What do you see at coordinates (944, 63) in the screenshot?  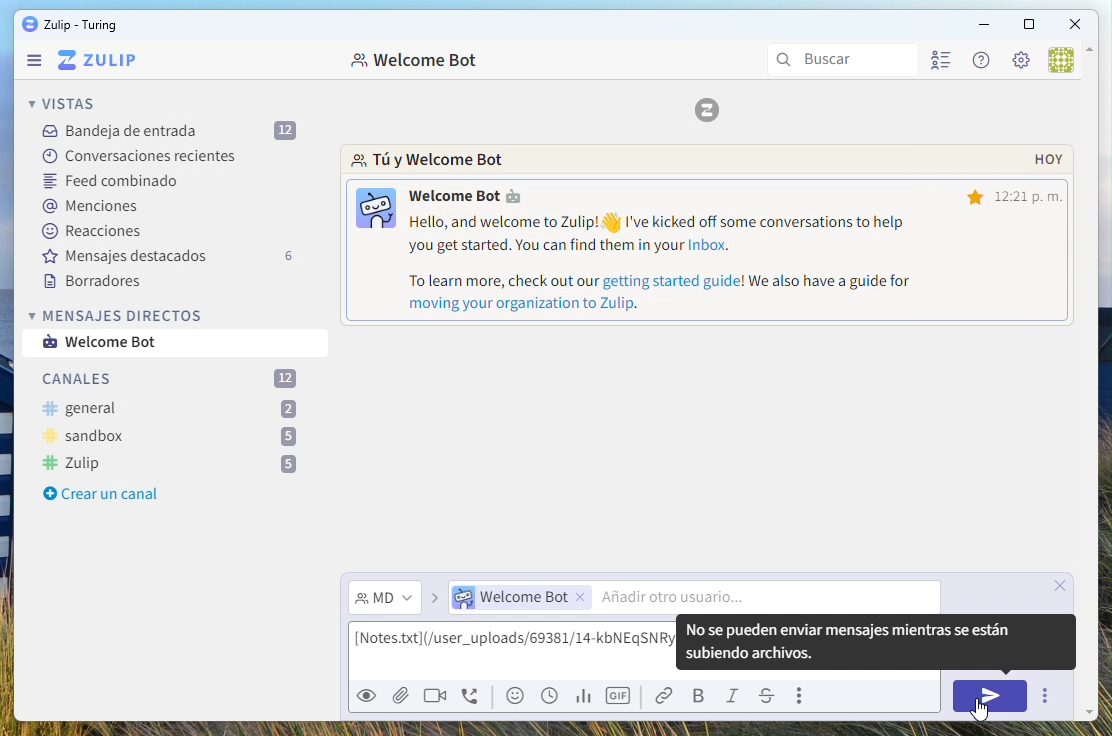 I see `Users List` at bounding box center [944, 63].